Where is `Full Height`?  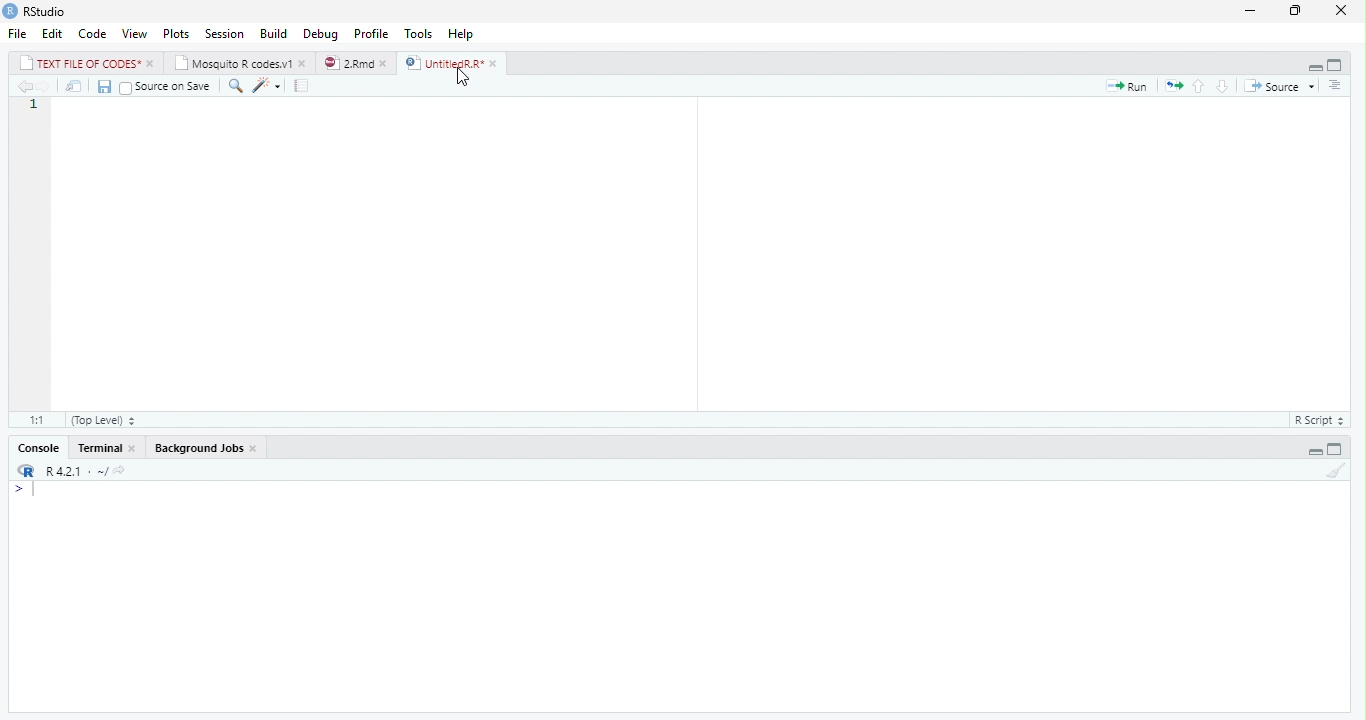 Full Height is located at coordinates (1337, 449).